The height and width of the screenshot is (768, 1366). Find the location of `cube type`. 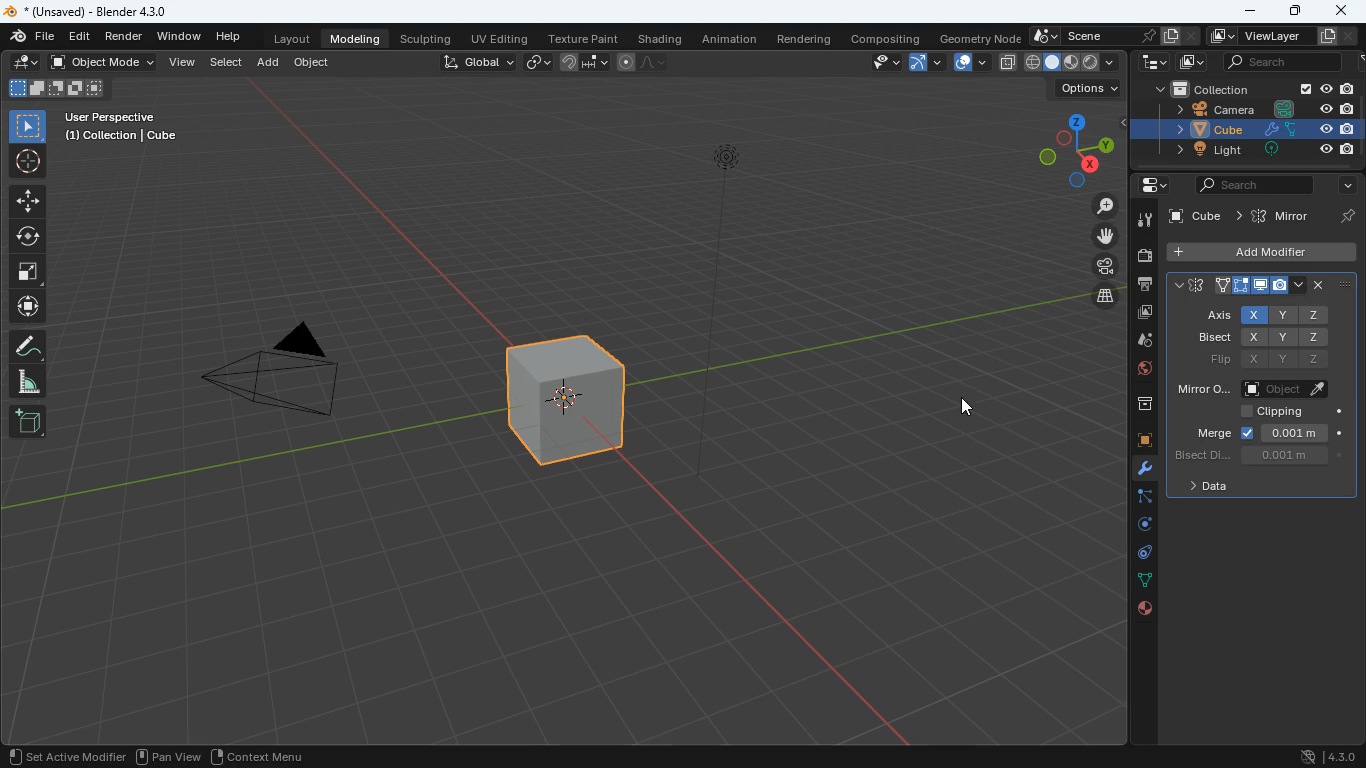

cube type is located at coordinates (1073, 63).